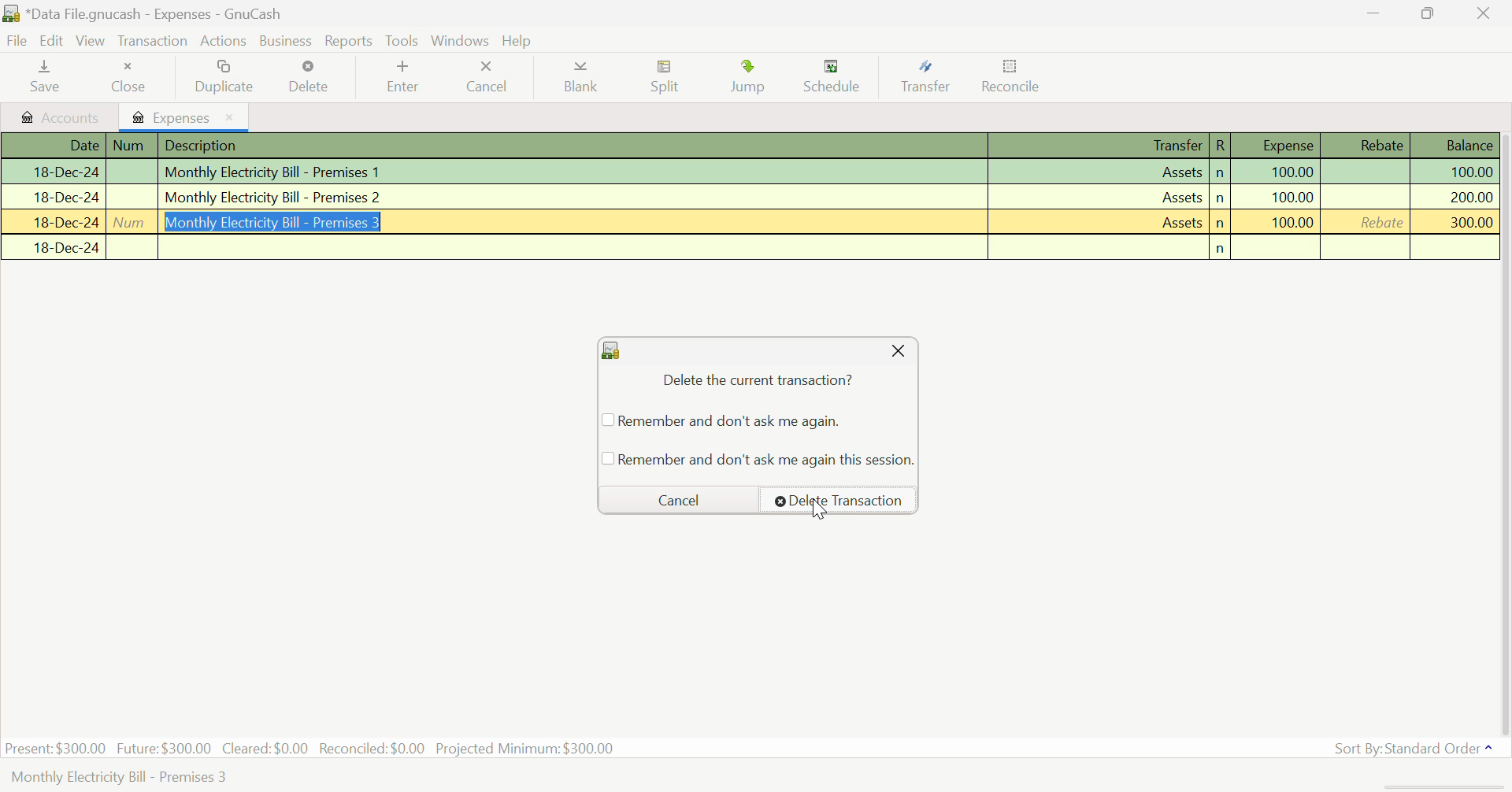 Image resolution: width=1512 pixels, height=792 pixels. What do you see at coordinates (1485, 13) in the screenshot?
I see `Close Window` at bounding box center [1485, 13].